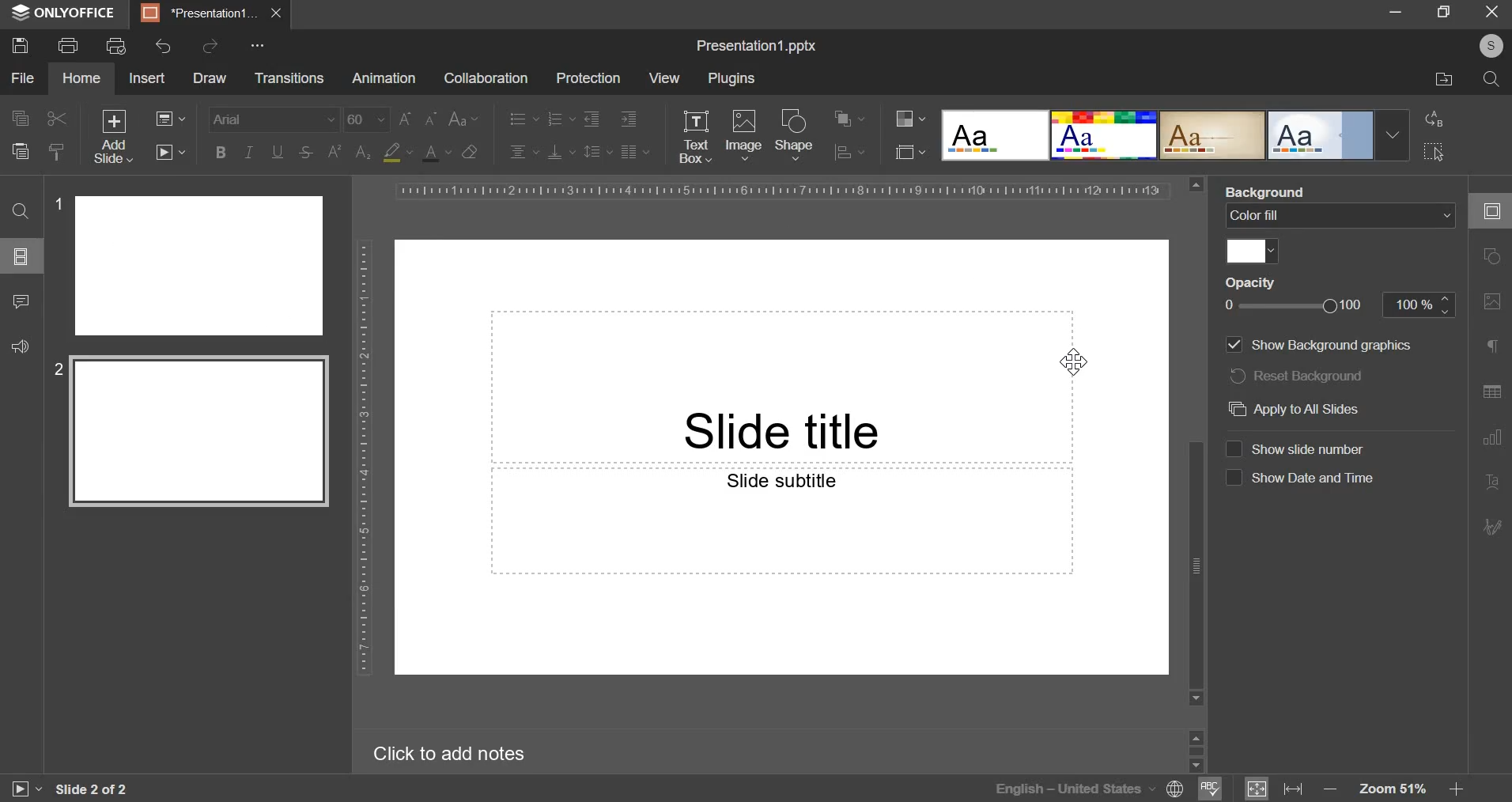  Describe the element at coordinates (599, 150) in the screenshot. I see `line spacing` at that location.